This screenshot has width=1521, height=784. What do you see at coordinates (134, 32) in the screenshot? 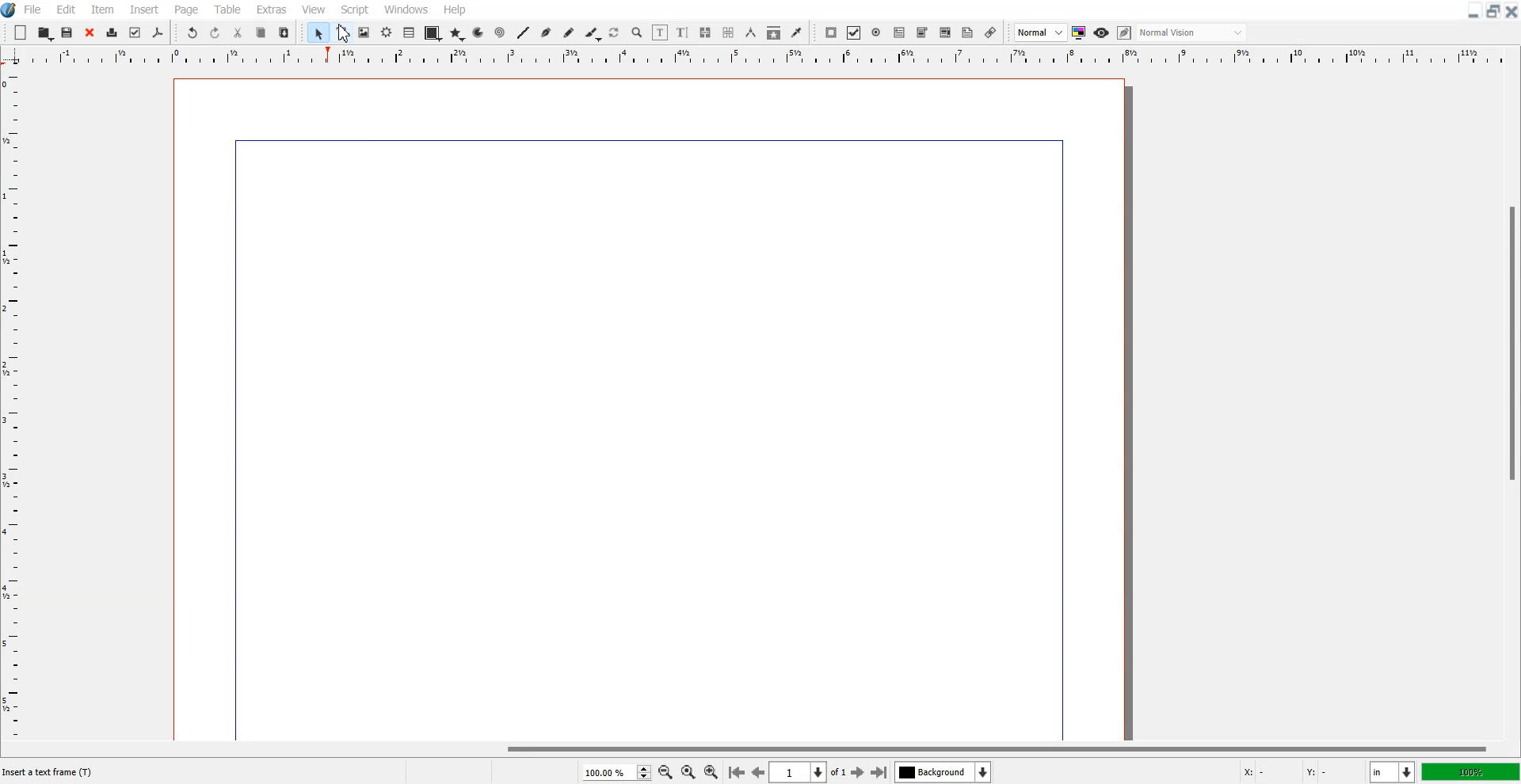
I see `Preflight verifier` at bounding box center [134, 32].